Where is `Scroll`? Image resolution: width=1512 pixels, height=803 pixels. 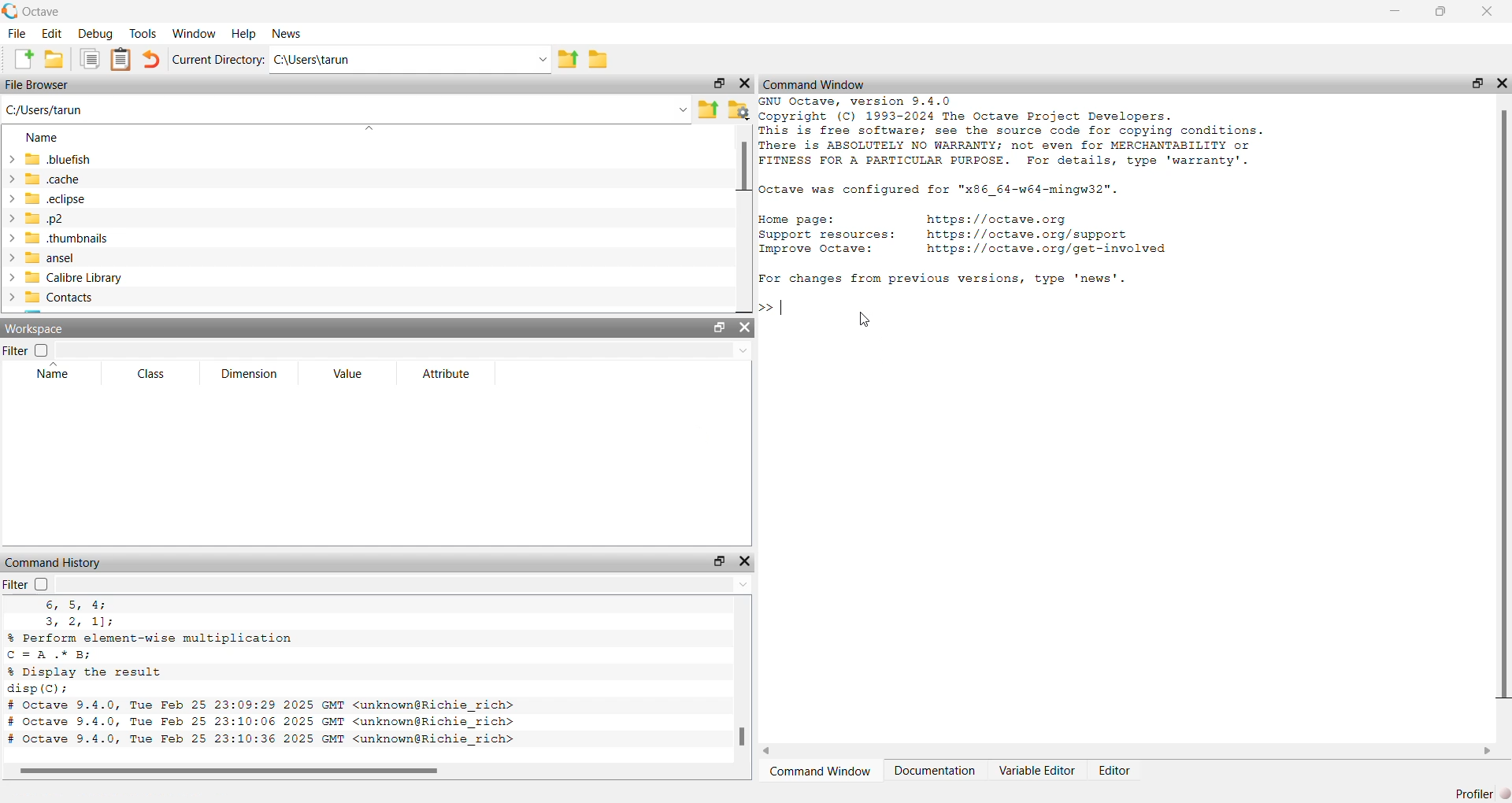 Scroll is located at coordinates (374, 772).